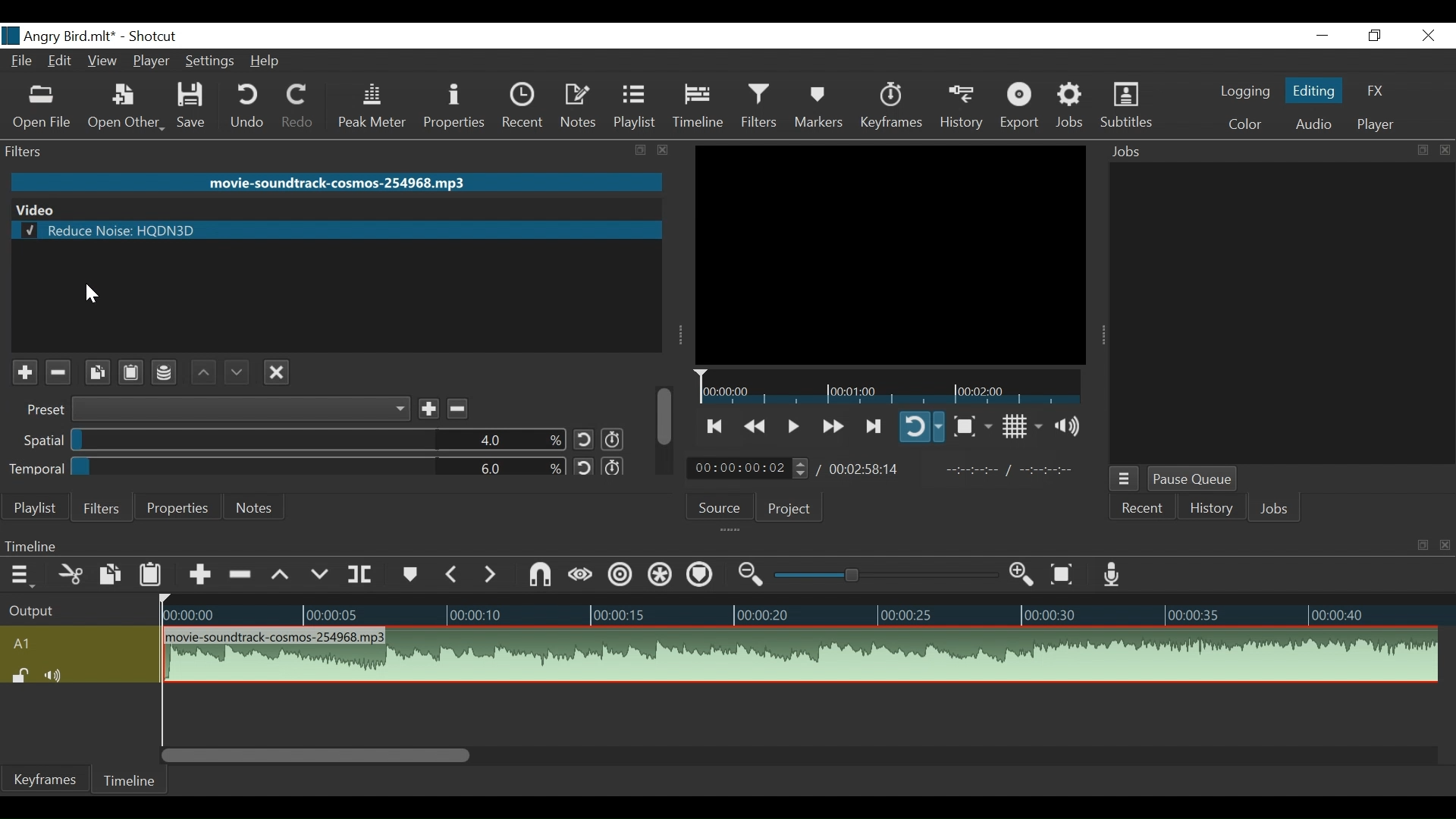  What do you see at coordinates (243, 410) in the screenshot?
I see `Preset dropdown` at bounding box center [243, 410].